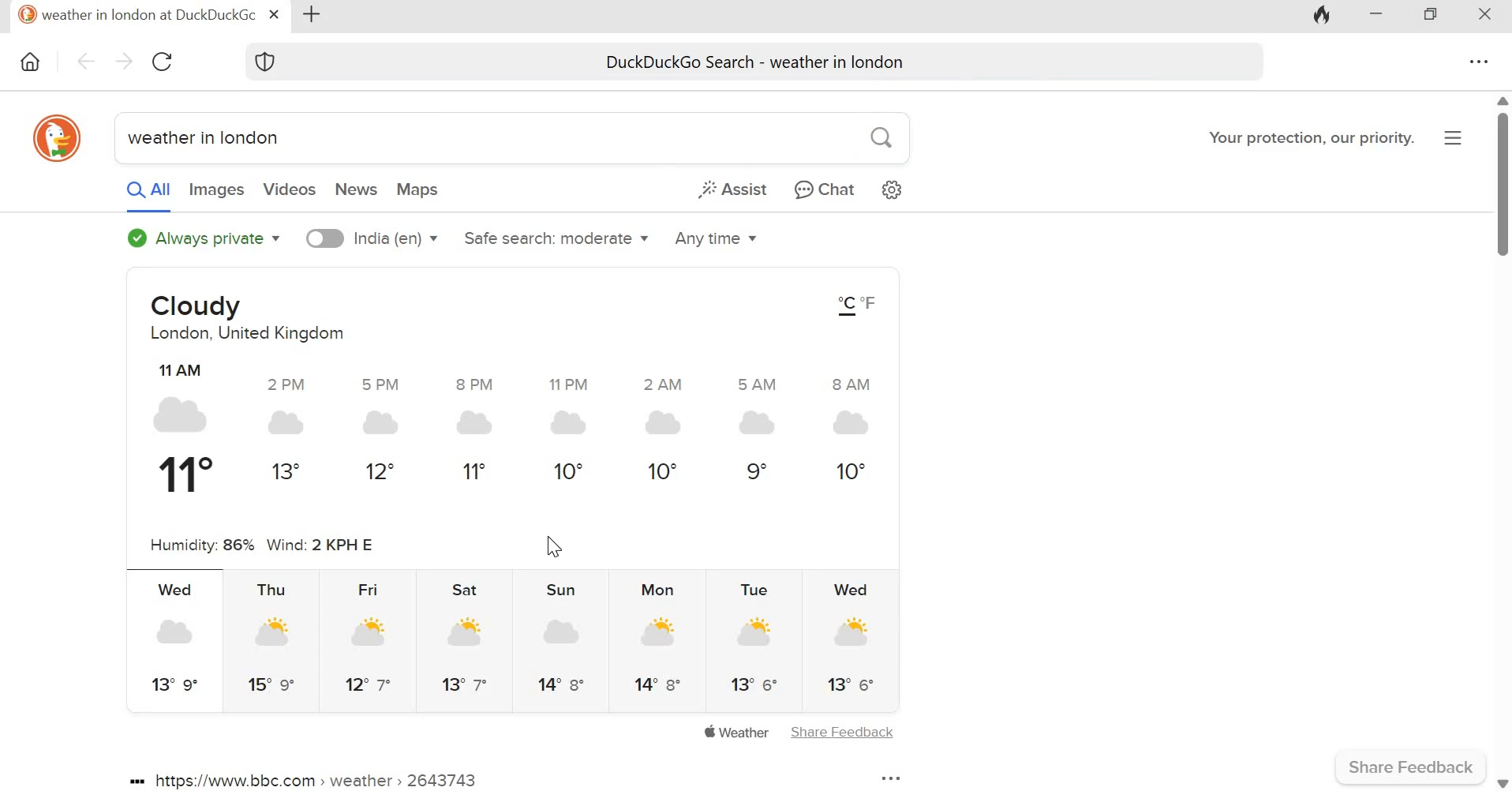  I want to click on Indicates cloudy, so click(755, 423).